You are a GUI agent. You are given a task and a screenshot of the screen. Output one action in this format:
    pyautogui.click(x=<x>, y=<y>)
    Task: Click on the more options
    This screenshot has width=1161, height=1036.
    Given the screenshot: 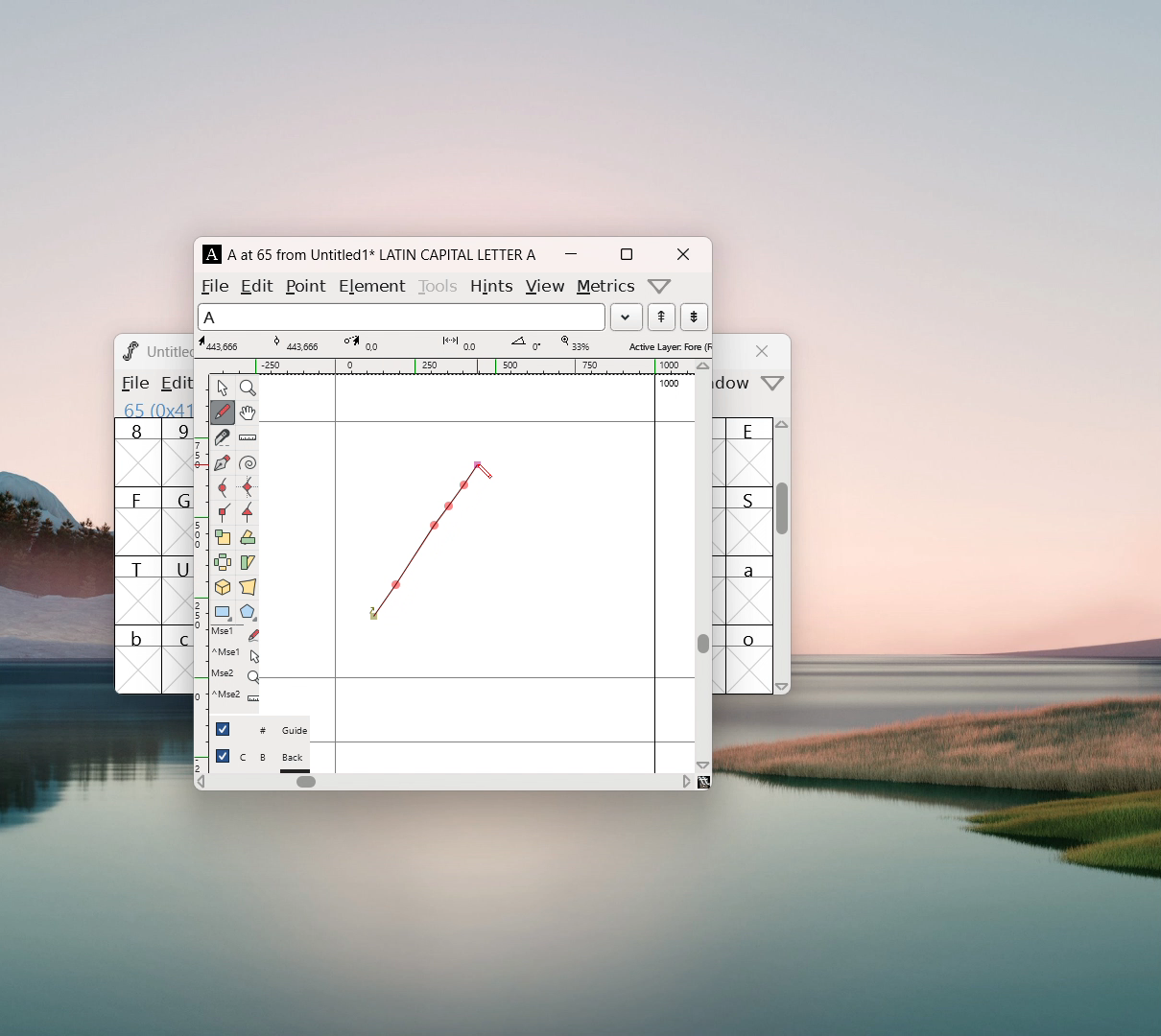 What is the action you would take?
    pyautogui.click(x=773, y=385)
    